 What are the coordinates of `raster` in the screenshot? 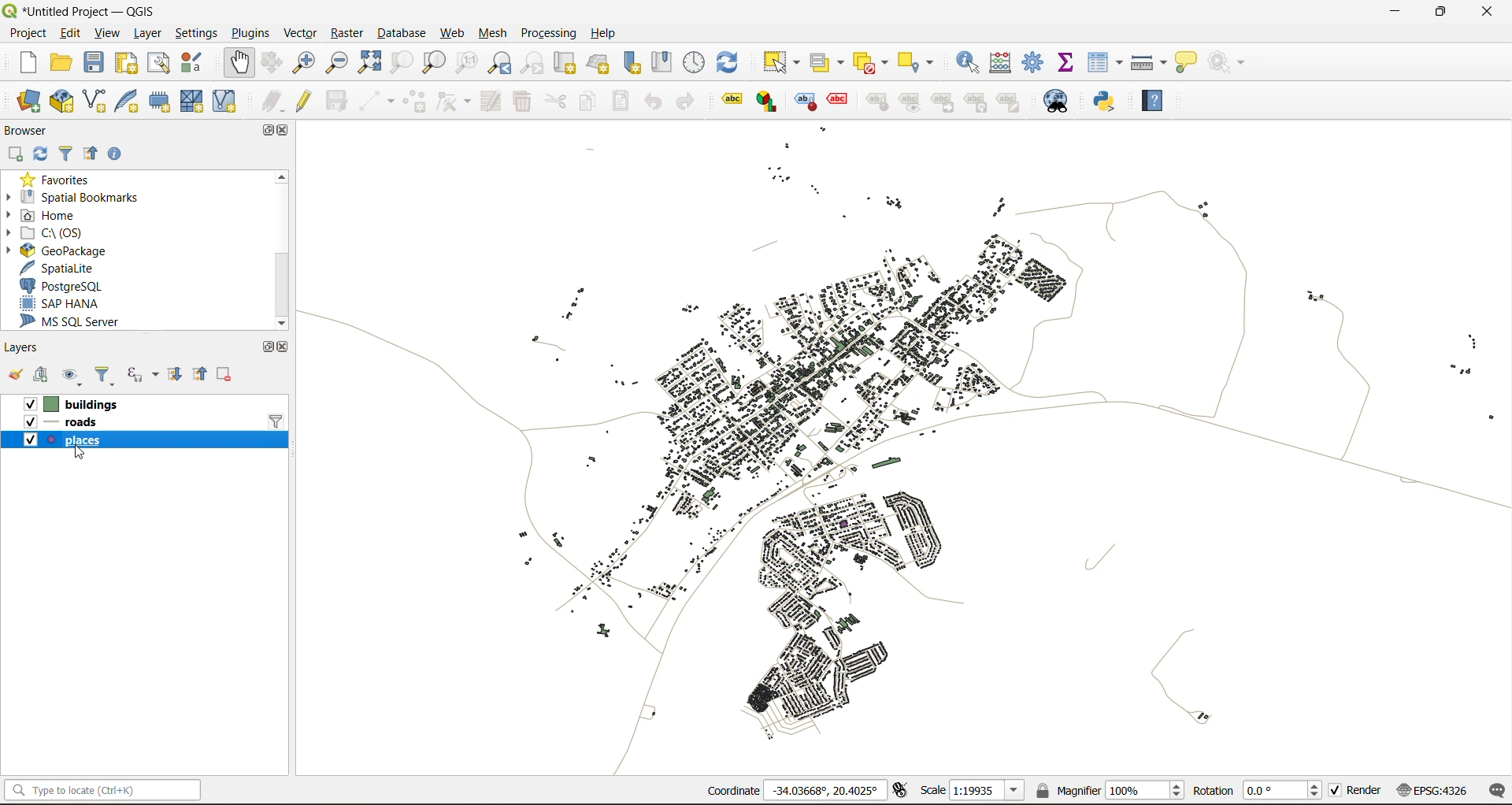 It's located at (349, 35).